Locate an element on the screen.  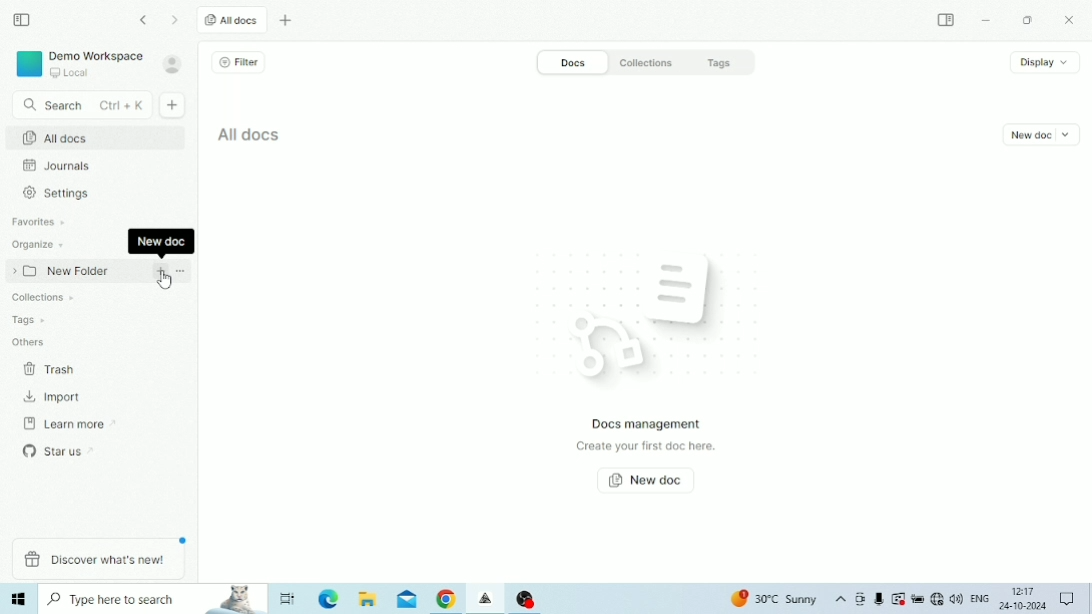
Temperature is located at coordinates (776, 599).